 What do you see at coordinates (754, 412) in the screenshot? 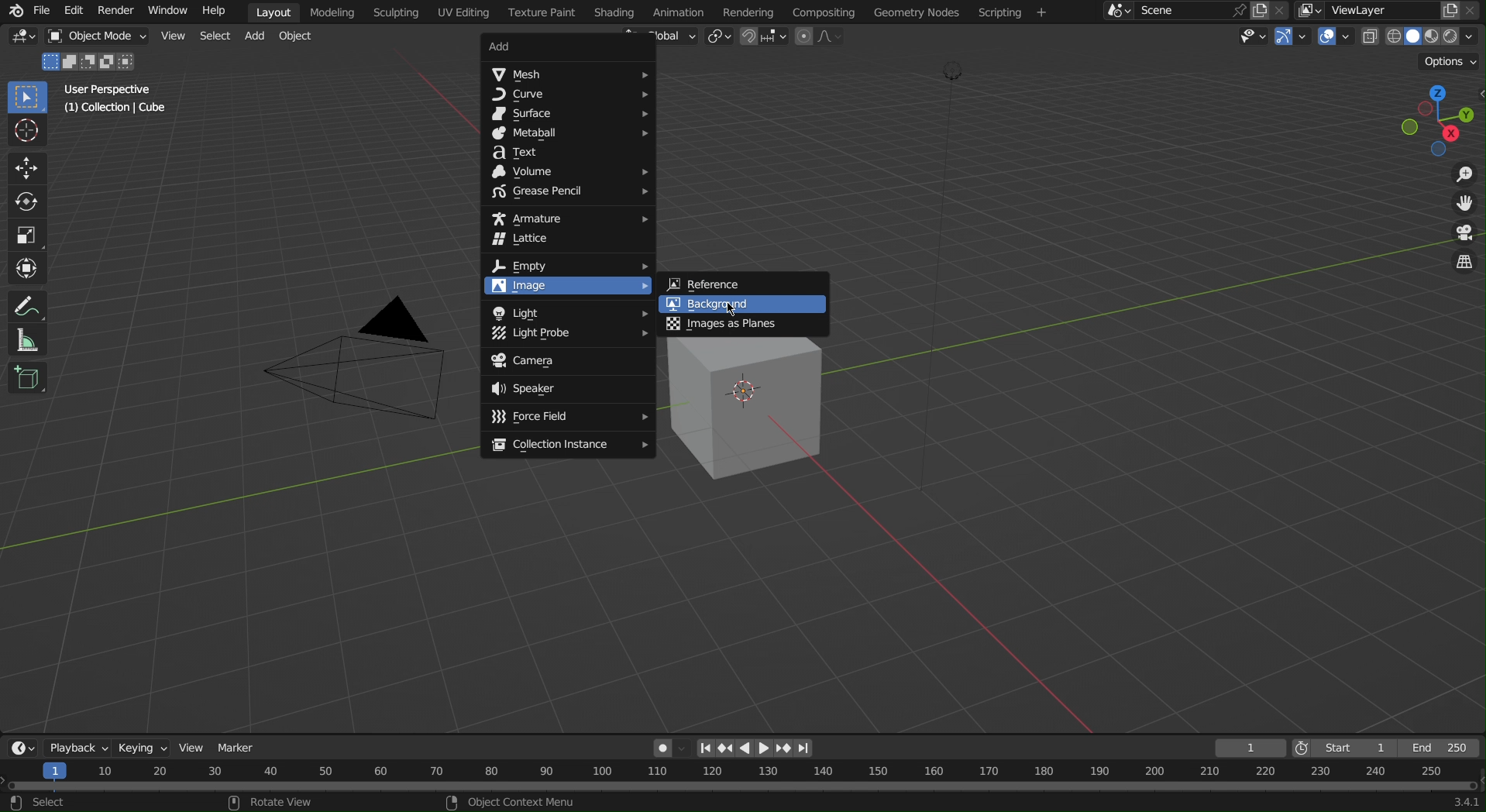
I see `Cube` at bounding box center [754, 412].